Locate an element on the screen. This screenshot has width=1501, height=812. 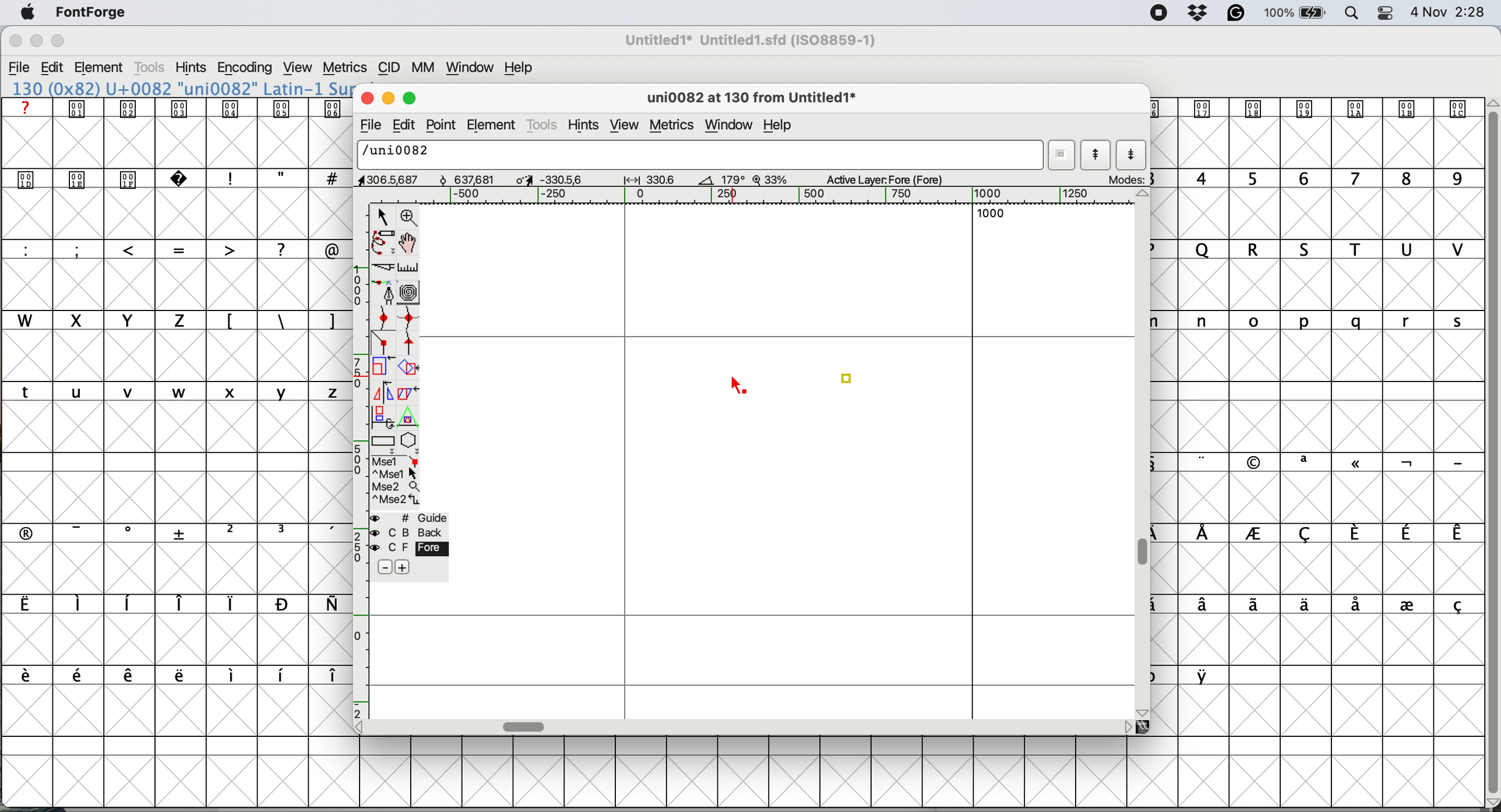
symbols is located at coordinates (1331, 534).